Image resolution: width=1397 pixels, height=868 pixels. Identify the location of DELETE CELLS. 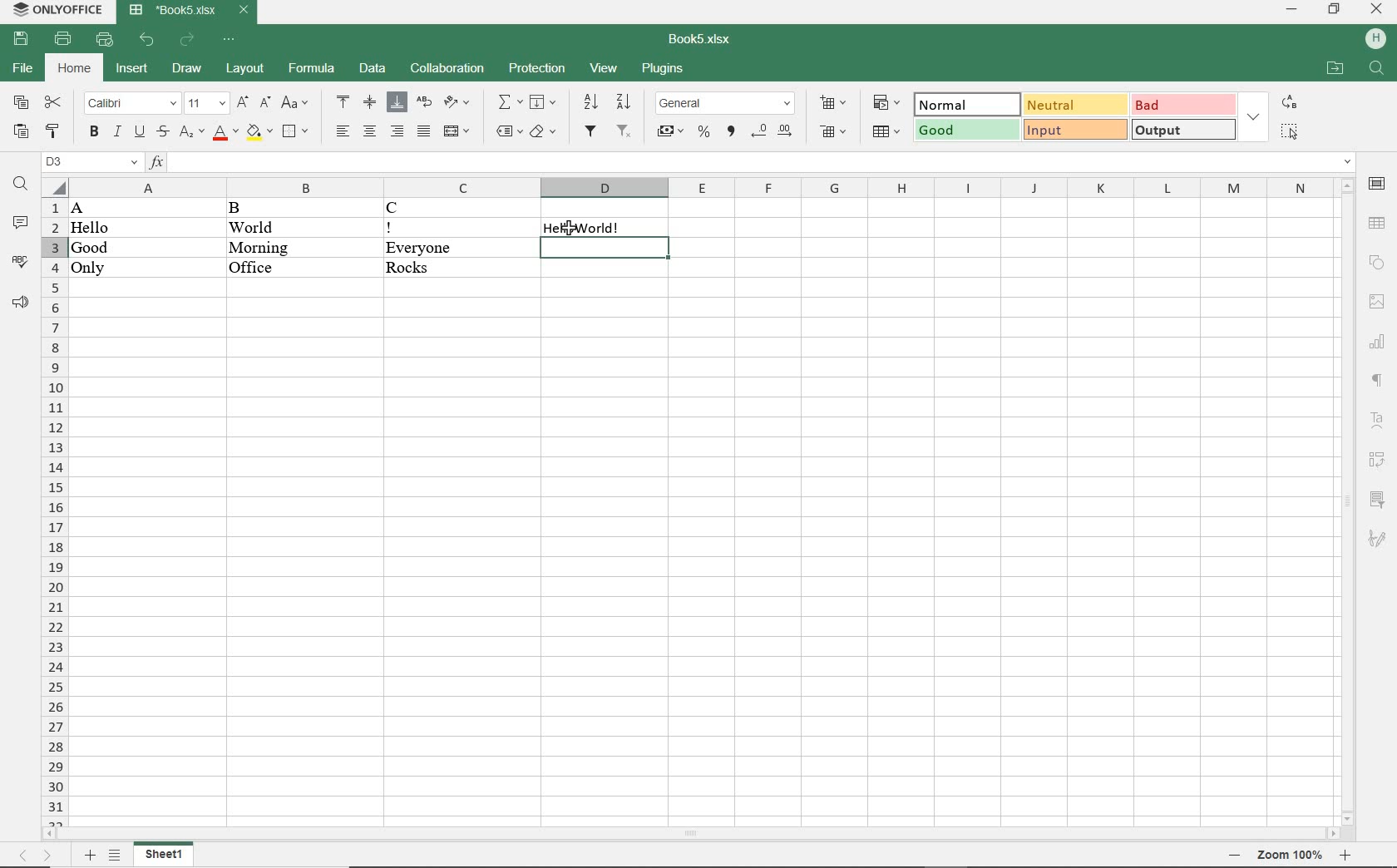
(833, 133).